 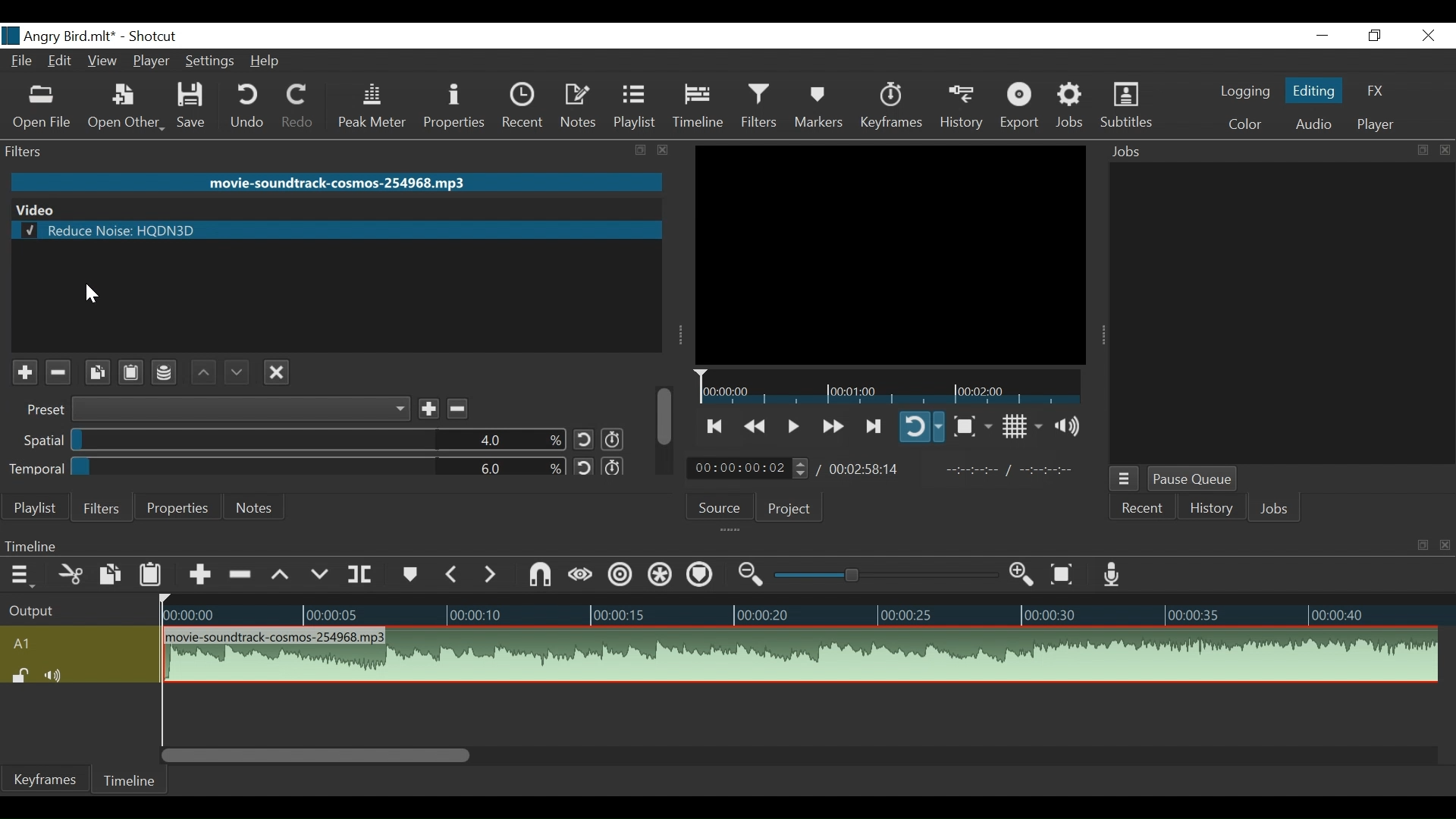 I want to click on Cut, so click(x=67, y=573).